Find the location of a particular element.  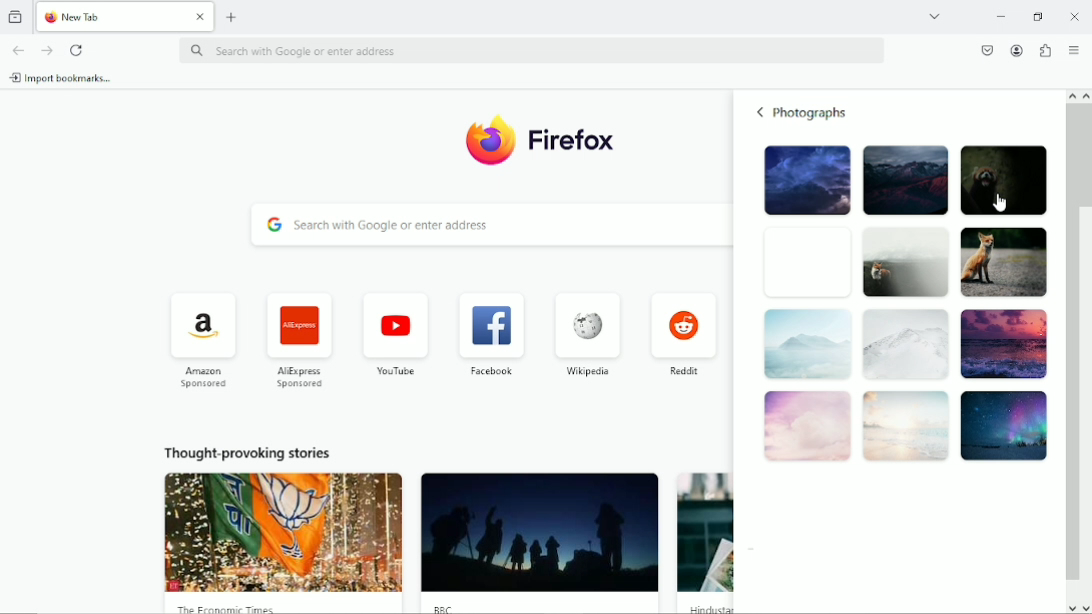

Vertical scrollbar is located at coordinates (1085, 156).